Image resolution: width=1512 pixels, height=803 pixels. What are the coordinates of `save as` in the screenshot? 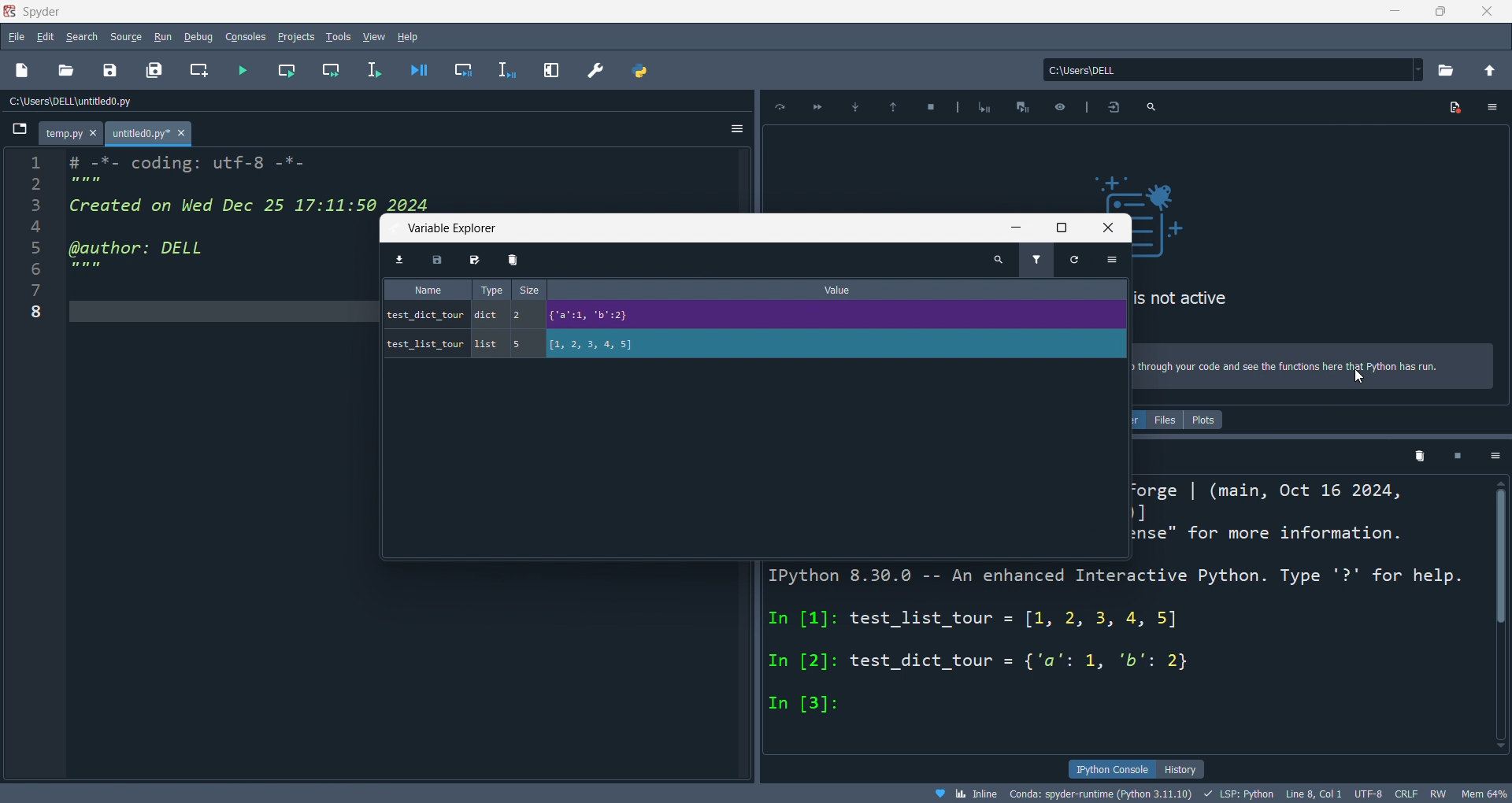 It's located at (475, 261).